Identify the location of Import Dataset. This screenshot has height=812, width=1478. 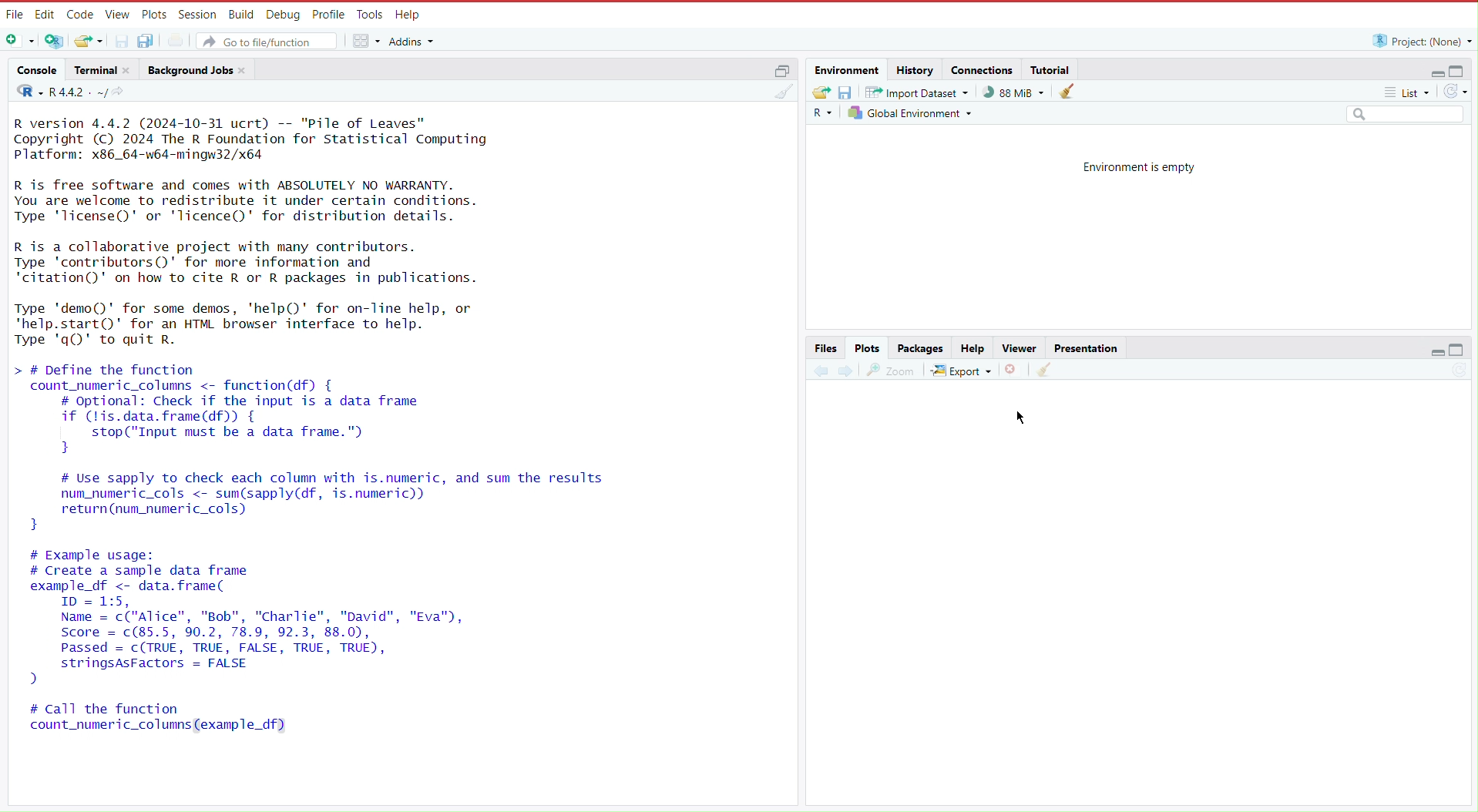
(919, 92).